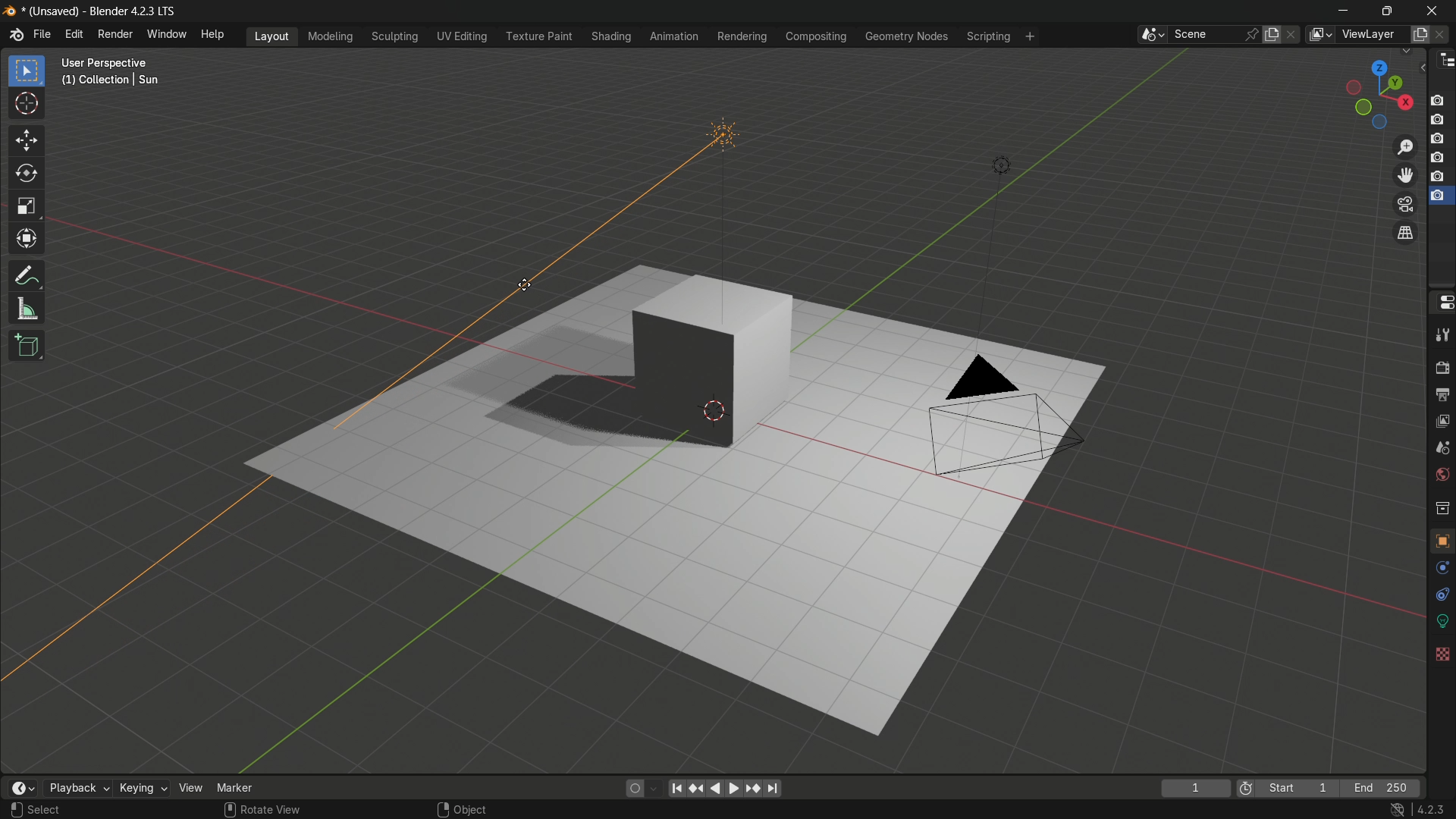 This screenshot has width=1456, height=819. I want to click on rotate, so click(28, 174).